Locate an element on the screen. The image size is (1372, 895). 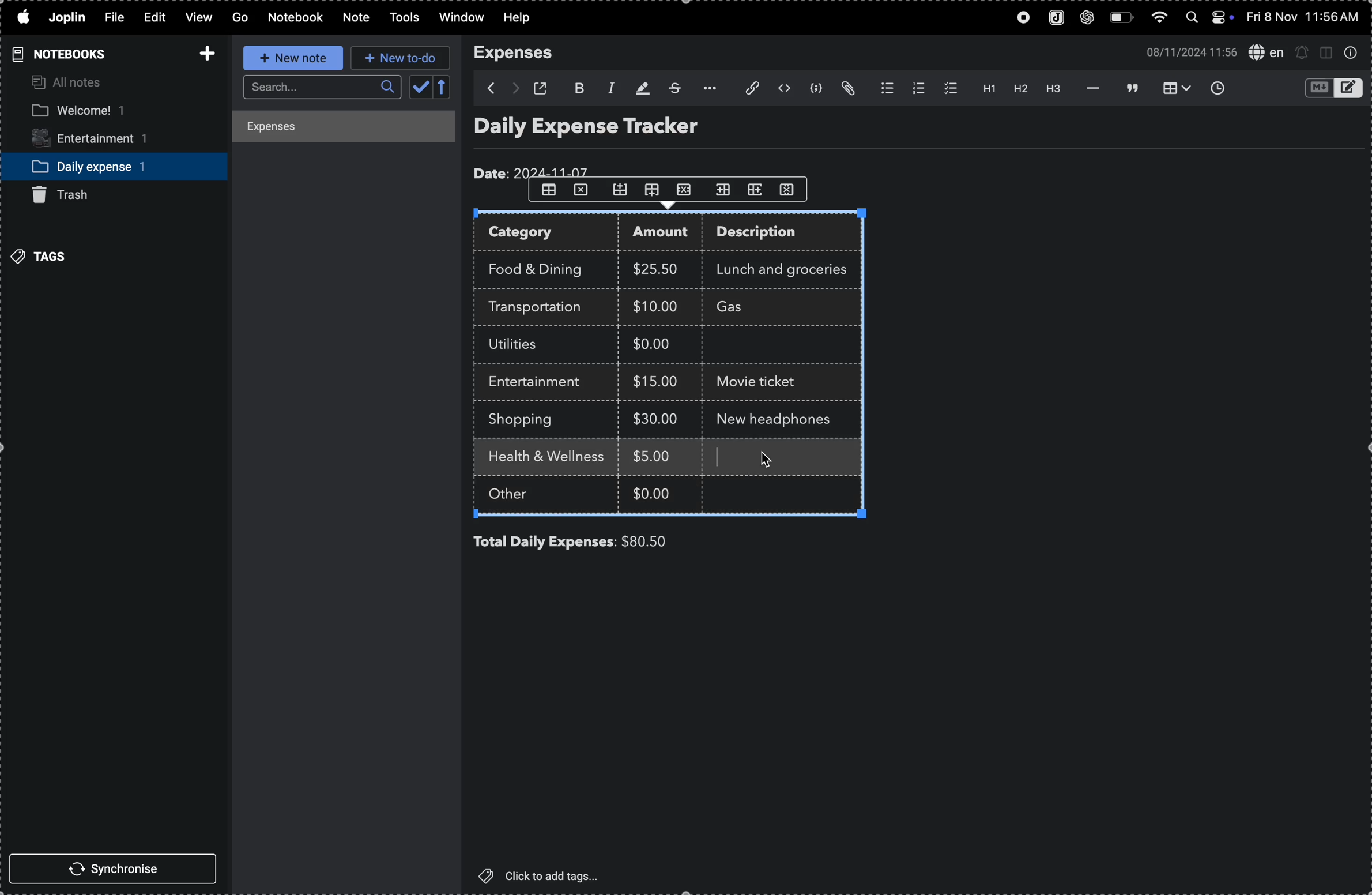
$25.00 is located at coordinates (659, 269).